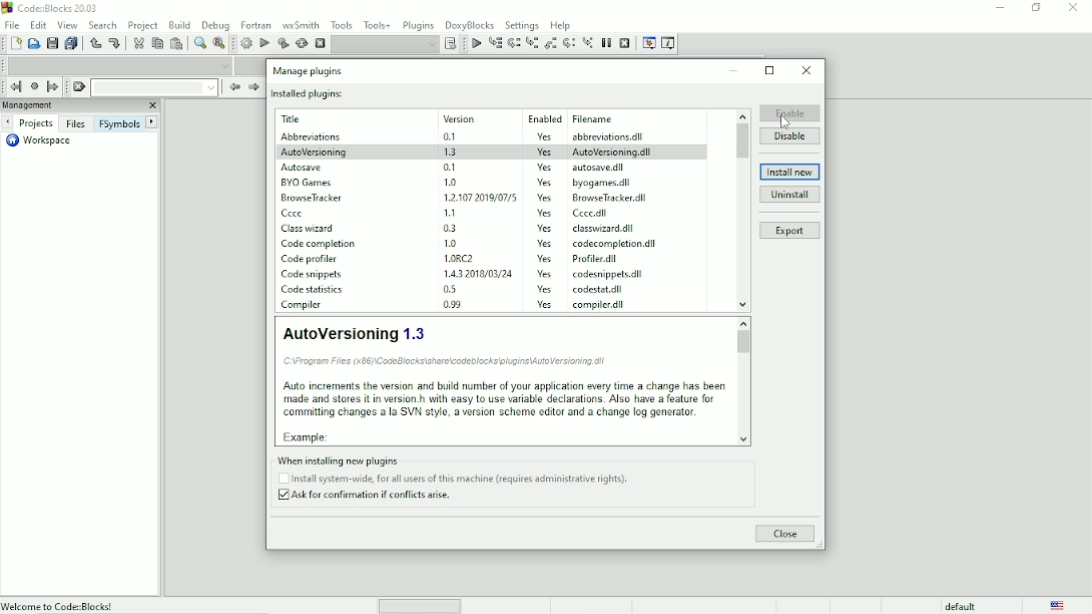 The width and height of the screenshot is (1092, 614). What do you see at coordinates (234, 87) in the screenshot?
I see `Prev` at bounding box center [234, 87].